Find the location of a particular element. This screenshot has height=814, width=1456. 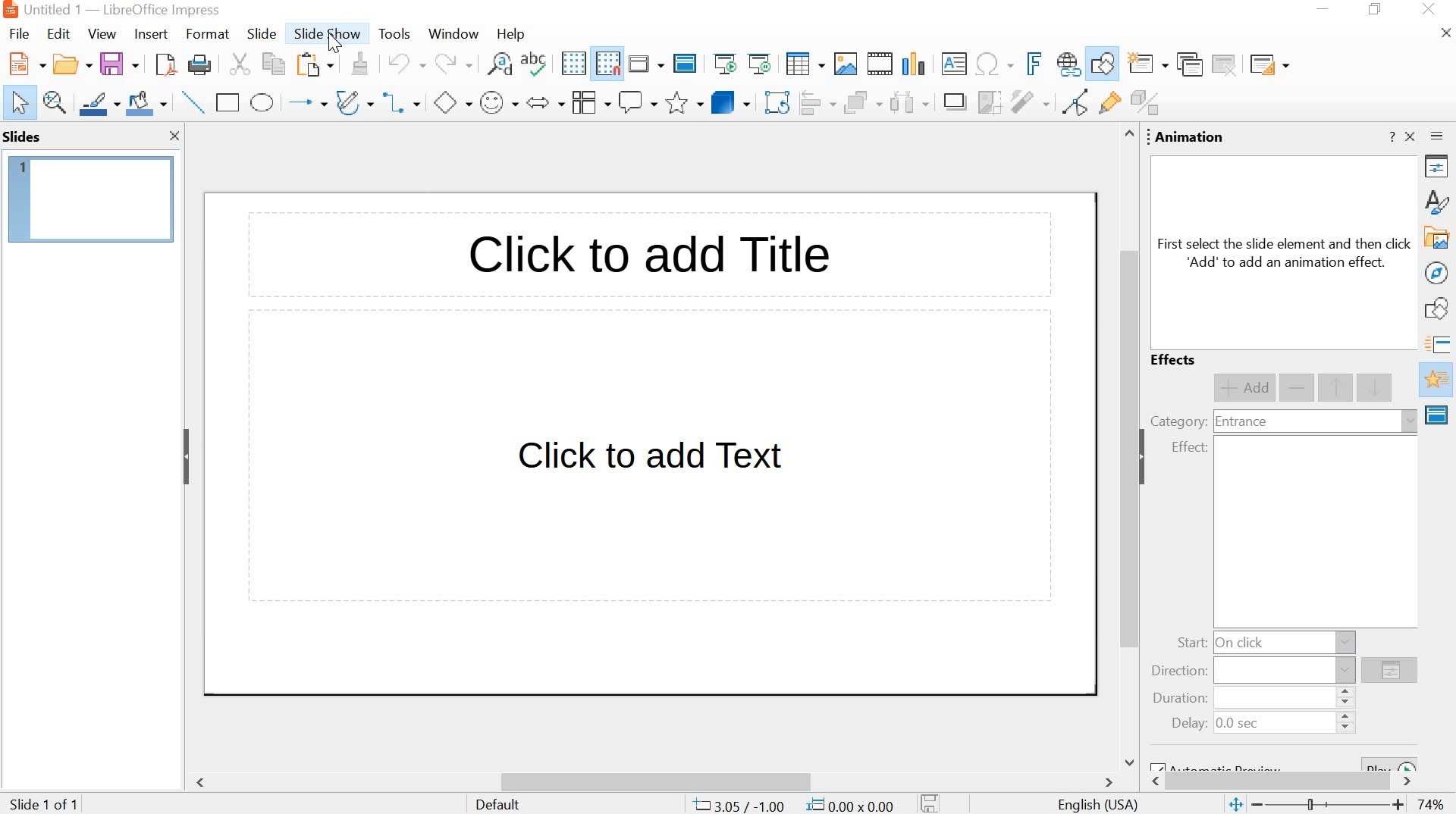

insert hyperlink is located at coordinates (1067, 65).